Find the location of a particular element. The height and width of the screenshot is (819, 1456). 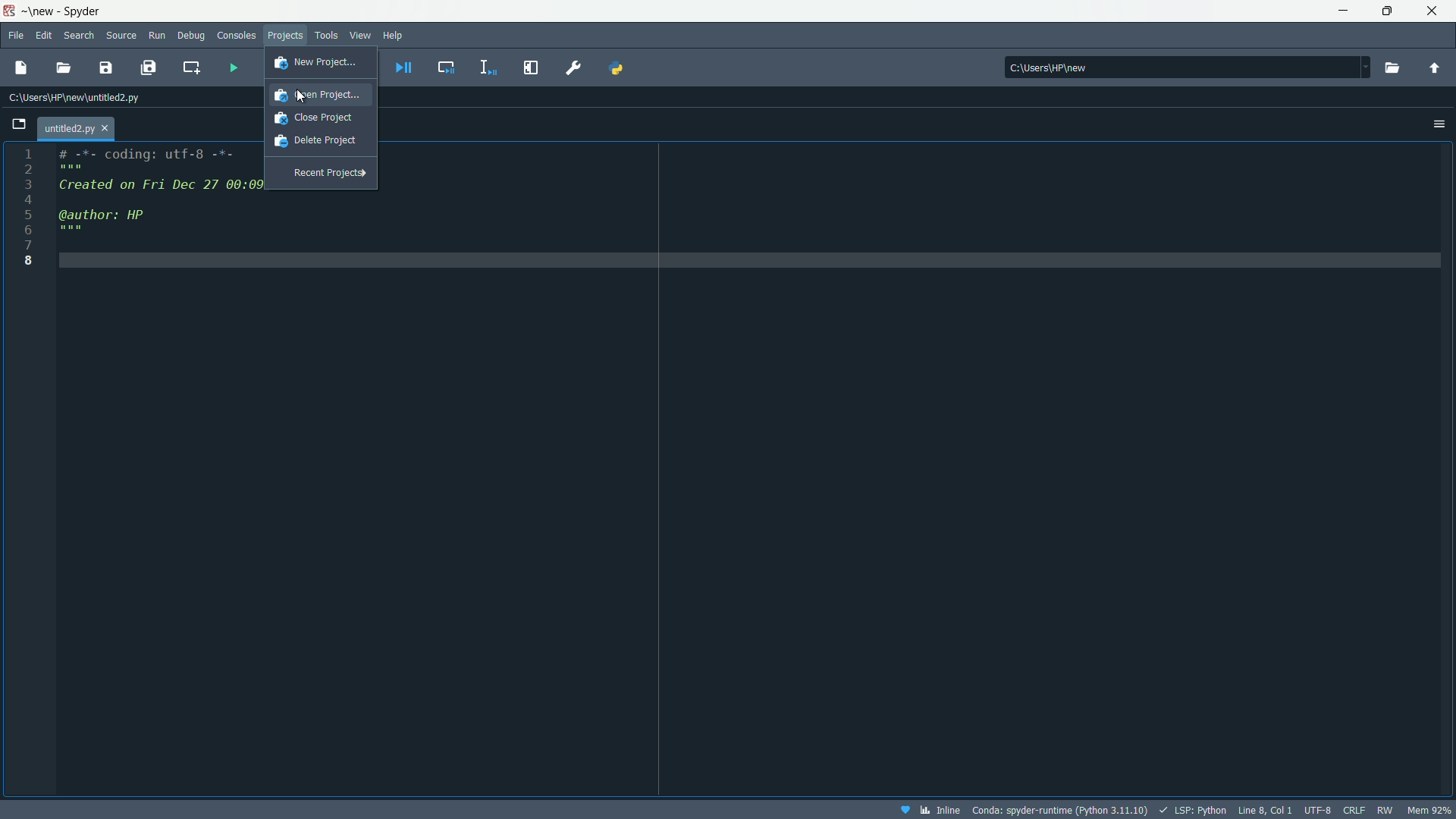

rw is located at coordinates (1385, 810).